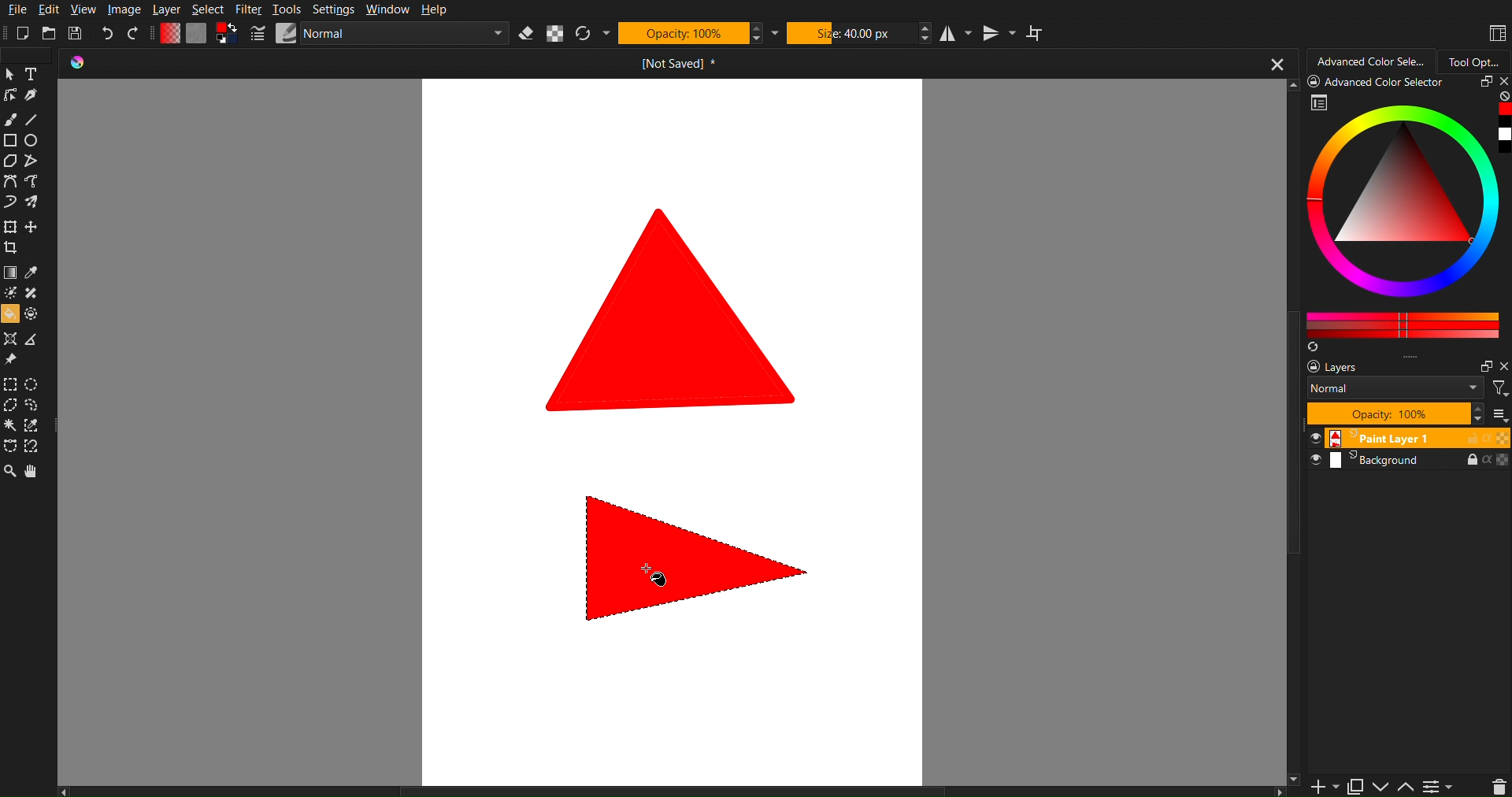 Image resolution: width=1512 pixels, height=797 pixels. I want to click on tool, so click(34, 294).